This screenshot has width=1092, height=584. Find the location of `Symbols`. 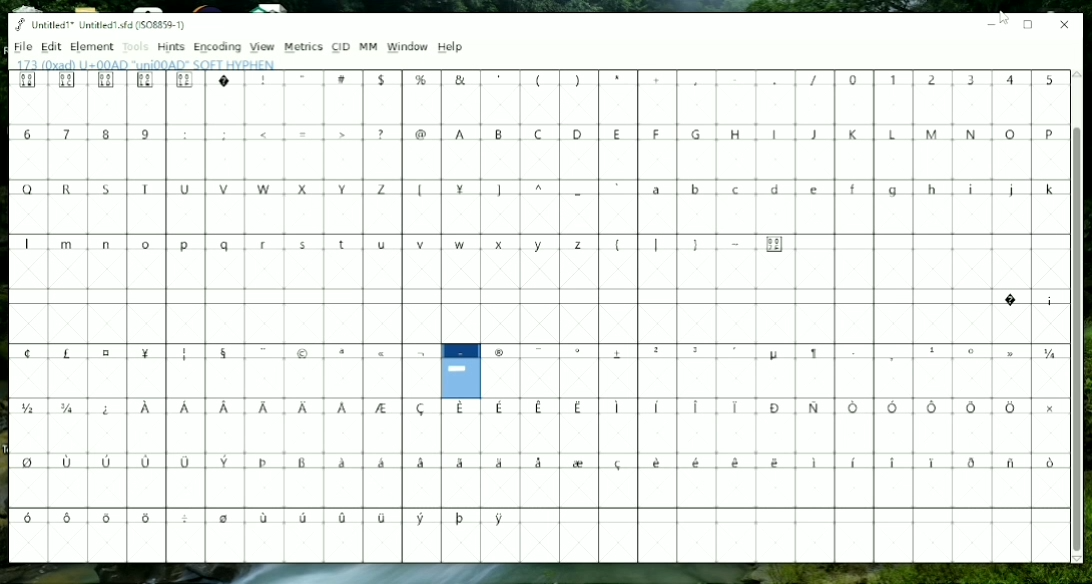

Symbols is located at coordinates (421, 80).